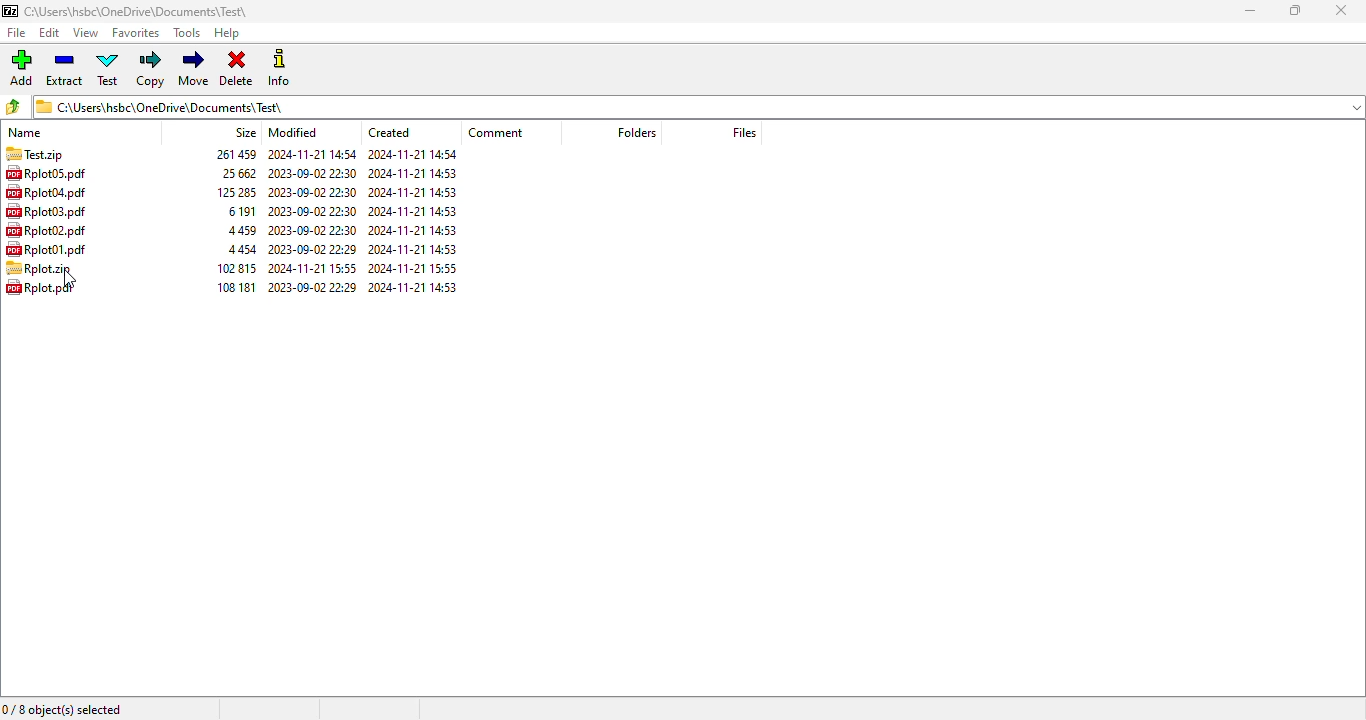 Image resolution: width=1366 pixels, height=720 pixels. What do you see at coordinates (50, 33) in the screenshot?
I see `edit` at bounding box center [50, 33].